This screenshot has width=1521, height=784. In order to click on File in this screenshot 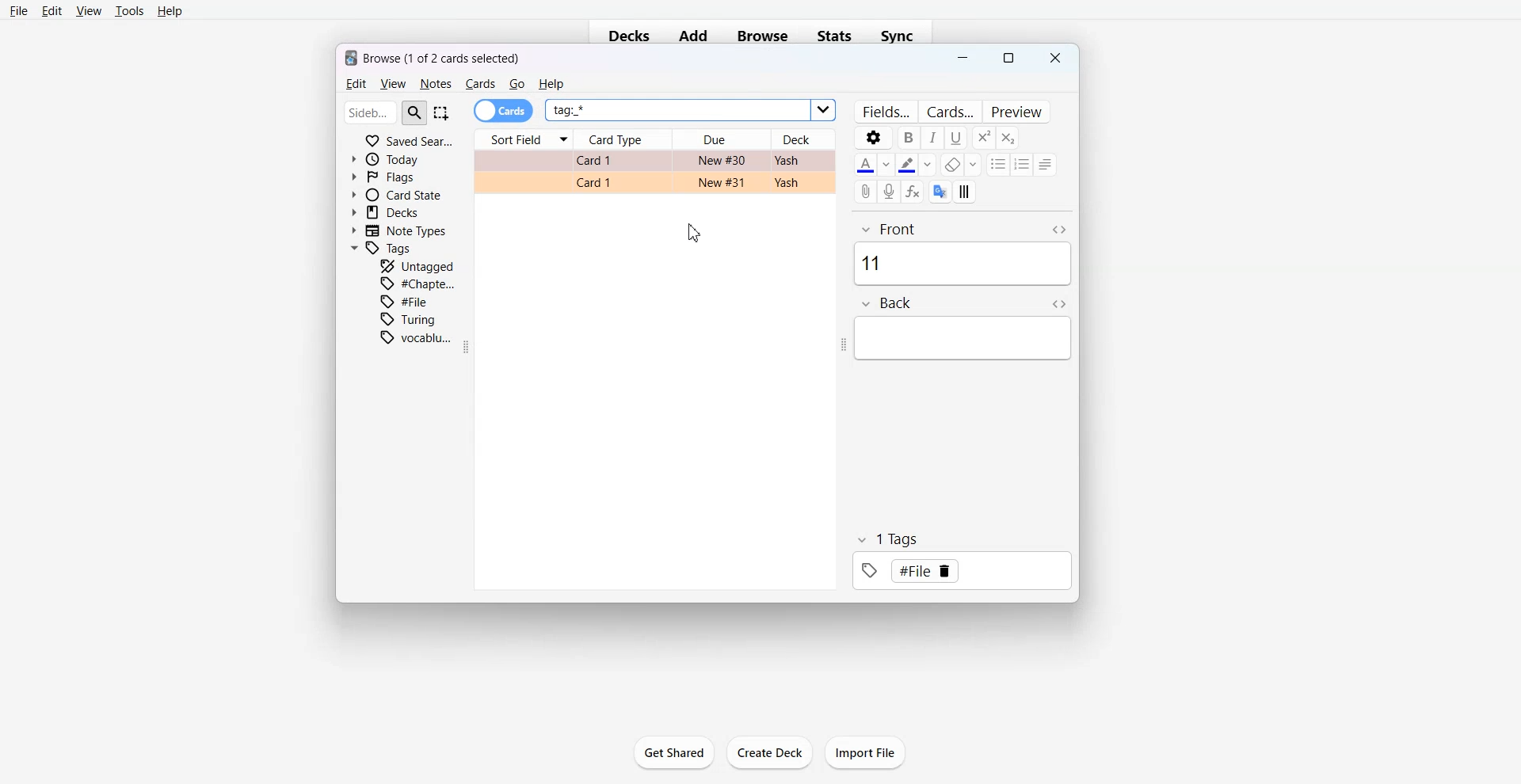, I will do `click(408, 301)`.